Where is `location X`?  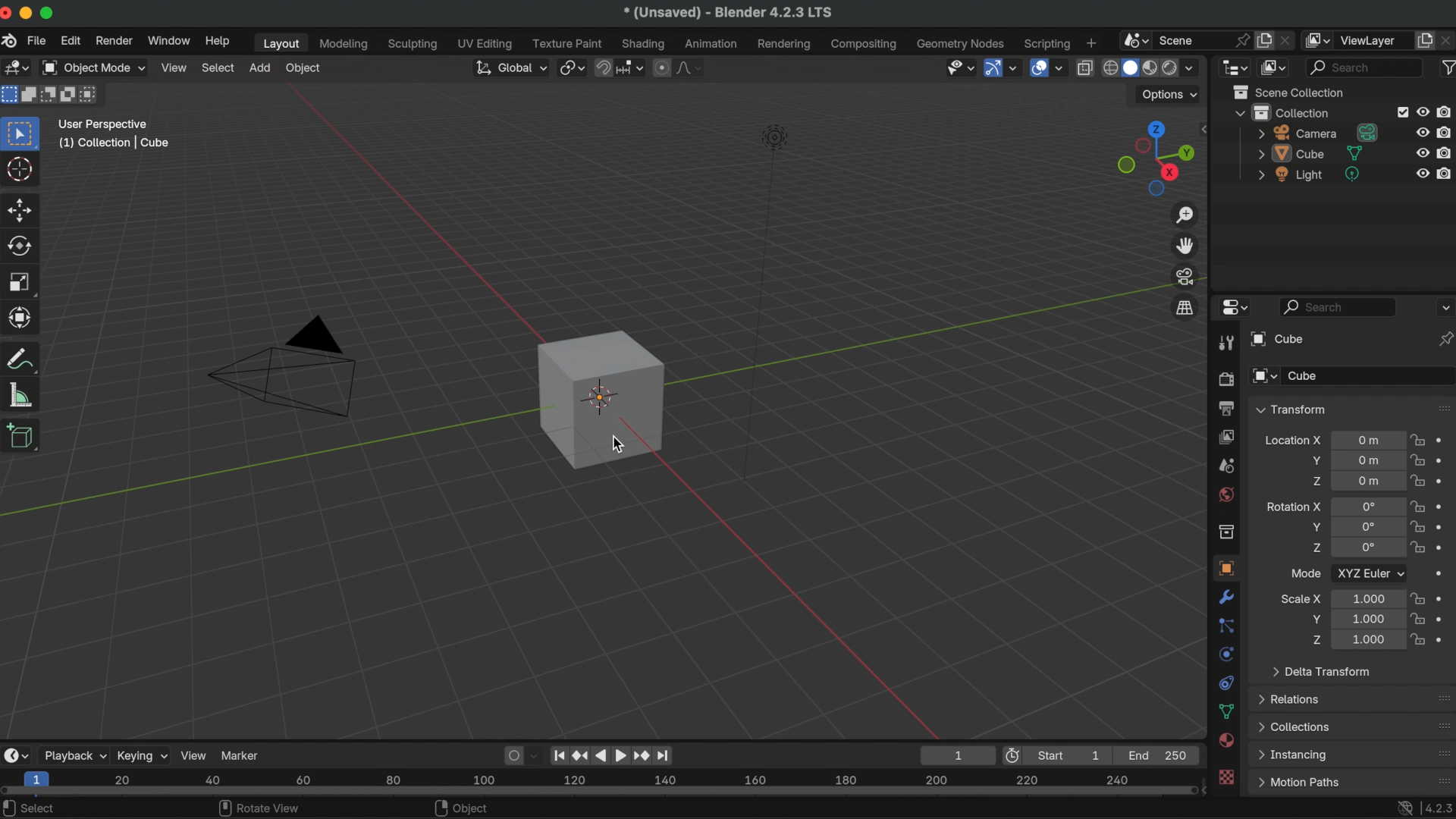 location X is located at coordinates (1292, 442).